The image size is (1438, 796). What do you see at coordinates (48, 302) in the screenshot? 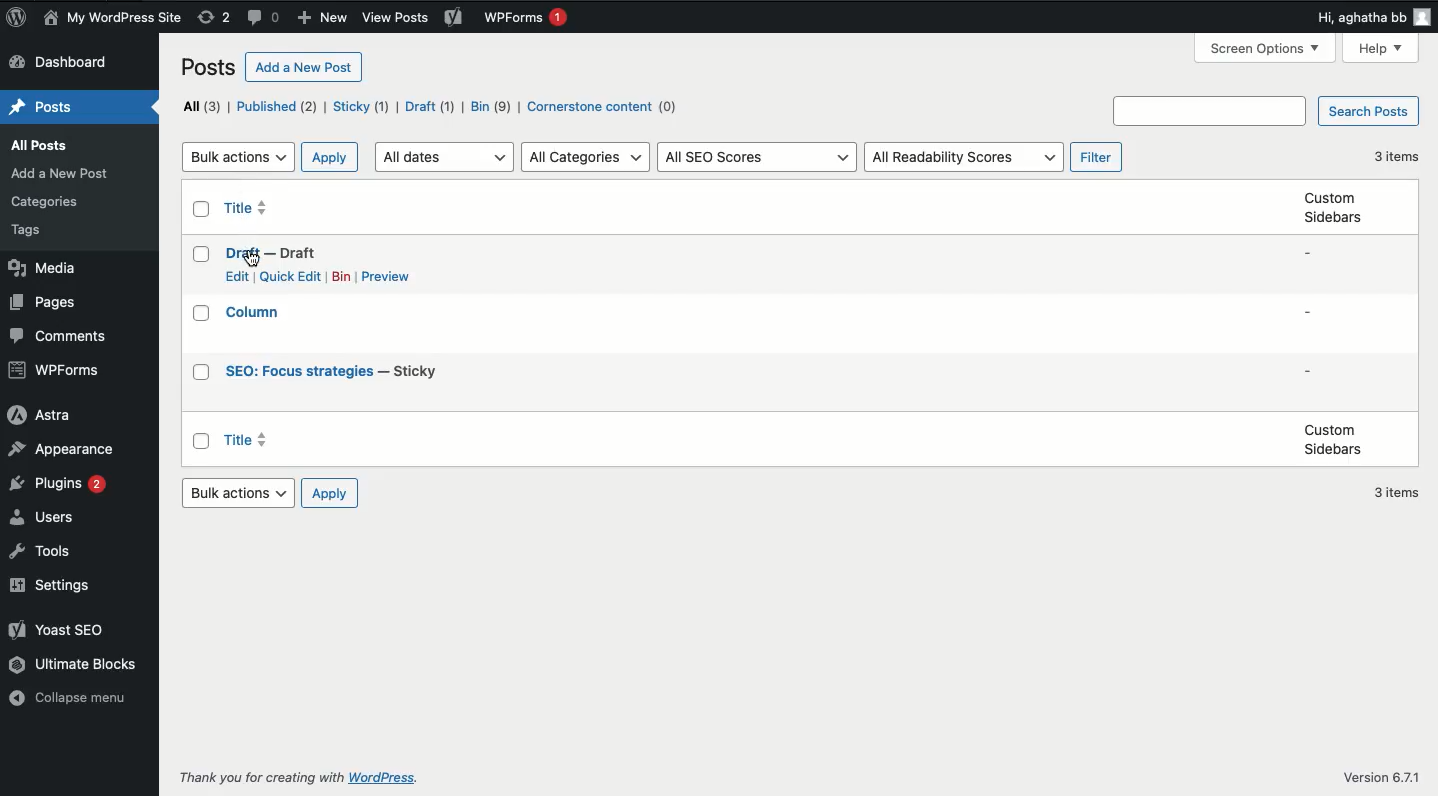
I see `Pages` at bounding box center [48, 302].